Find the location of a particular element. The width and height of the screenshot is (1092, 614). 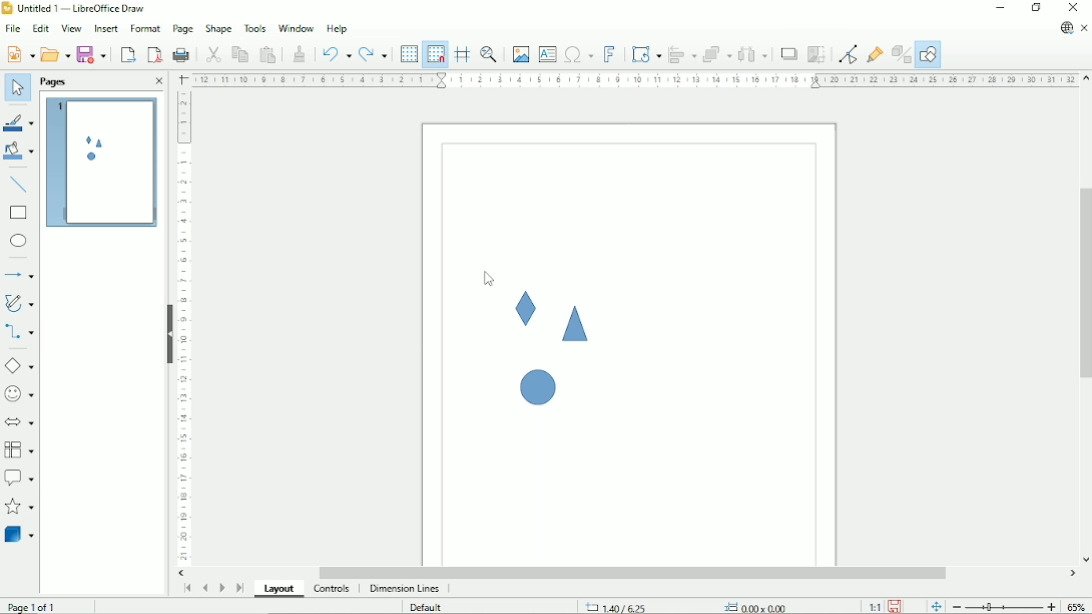

File is located at coordinates (12, 28).